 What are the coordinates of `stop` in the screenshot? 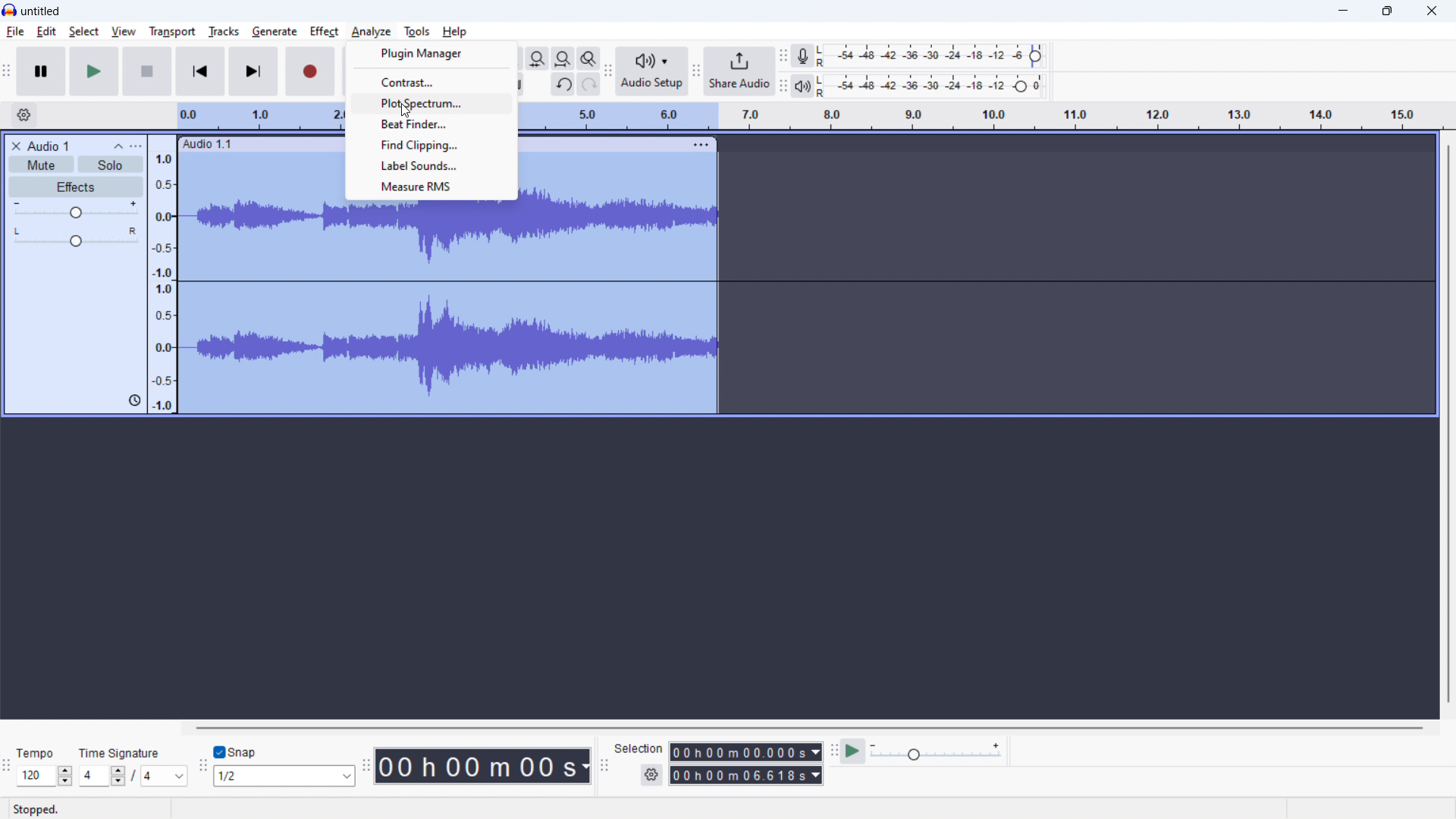 It's located at (147, 71).